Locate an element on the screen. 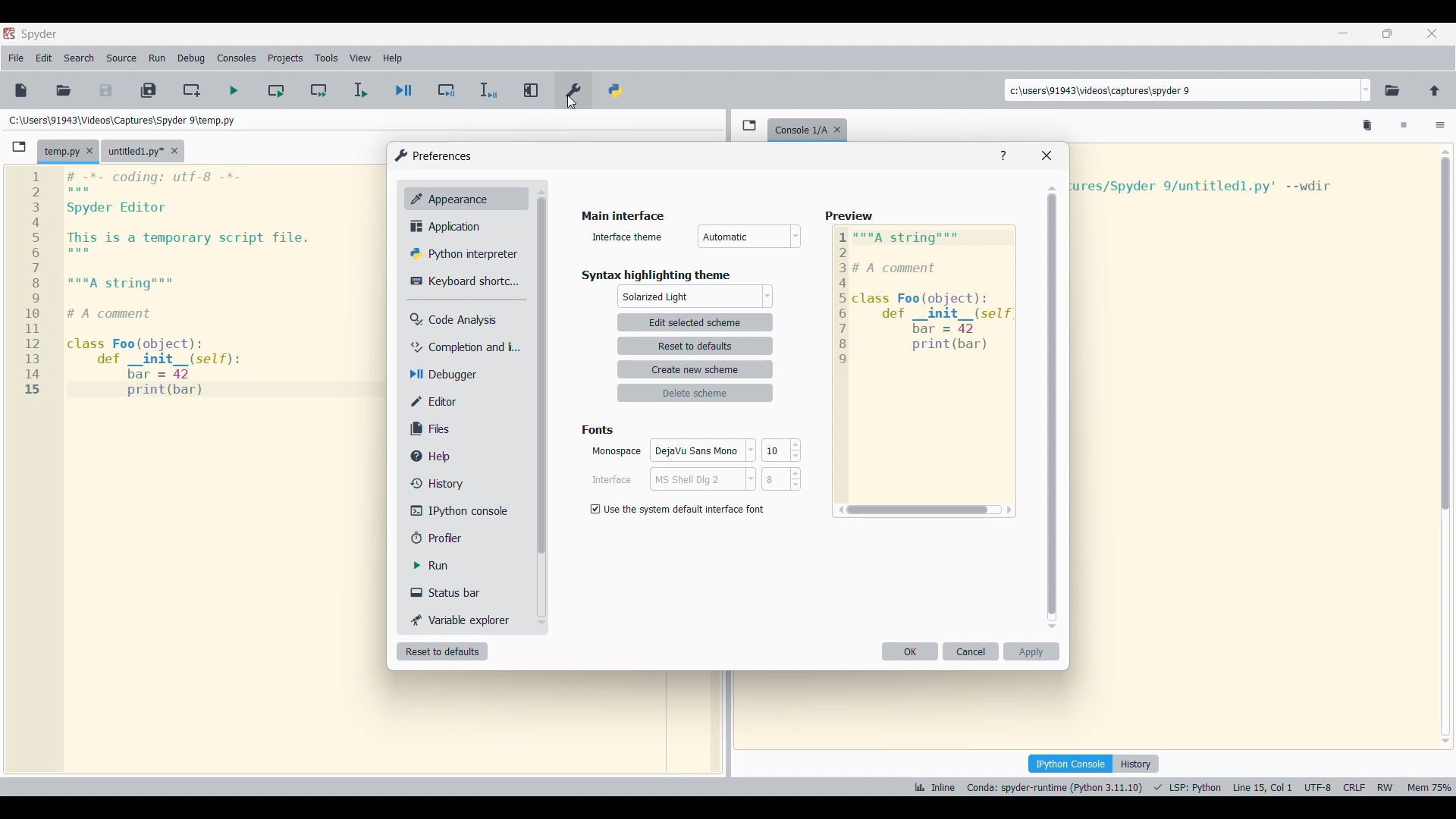  Save all is located at coordinates (149, 90).